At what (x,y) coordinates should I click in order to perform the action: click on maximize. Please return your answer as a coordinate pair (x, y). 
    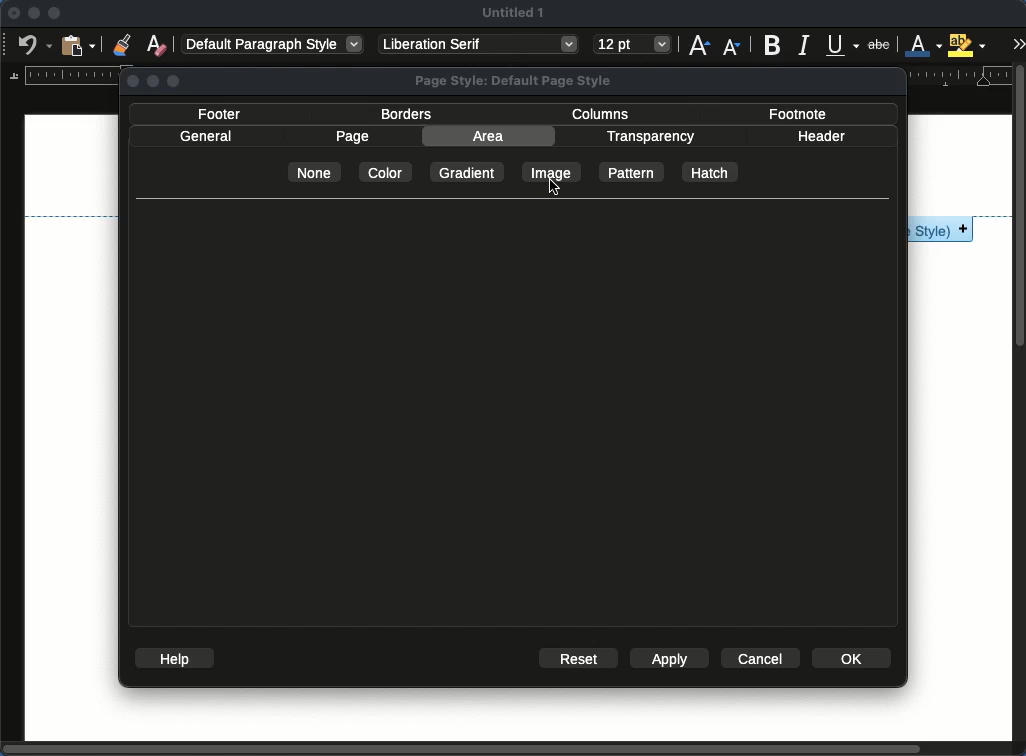
    Looking at the image, I should click on (55, 13).